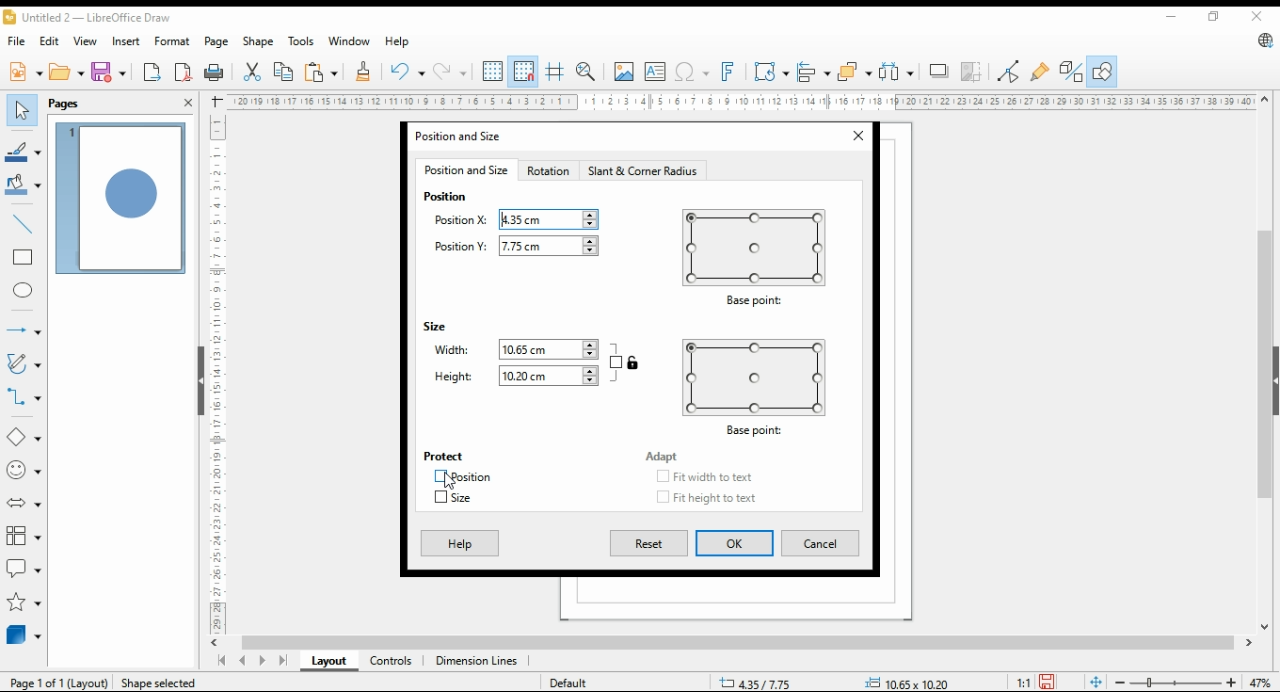  What do you see at coordinates (711, 479) in the screenshot?
I see `checkbox: fit width to text` at bounding box center [711, 479].